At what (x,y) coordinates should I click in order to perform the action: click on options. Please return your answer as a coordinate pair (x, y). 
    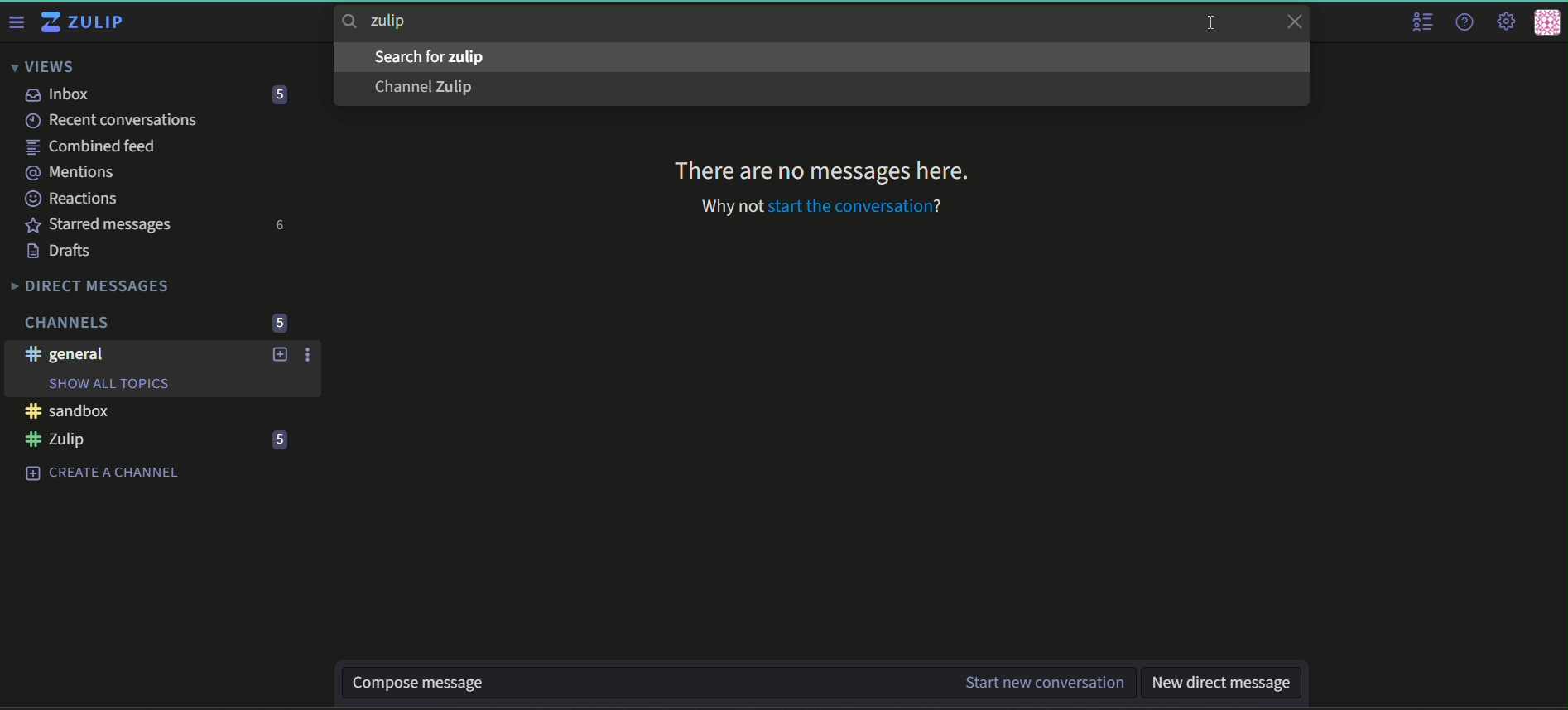
    Looking at the image, I should click on (310, 356).